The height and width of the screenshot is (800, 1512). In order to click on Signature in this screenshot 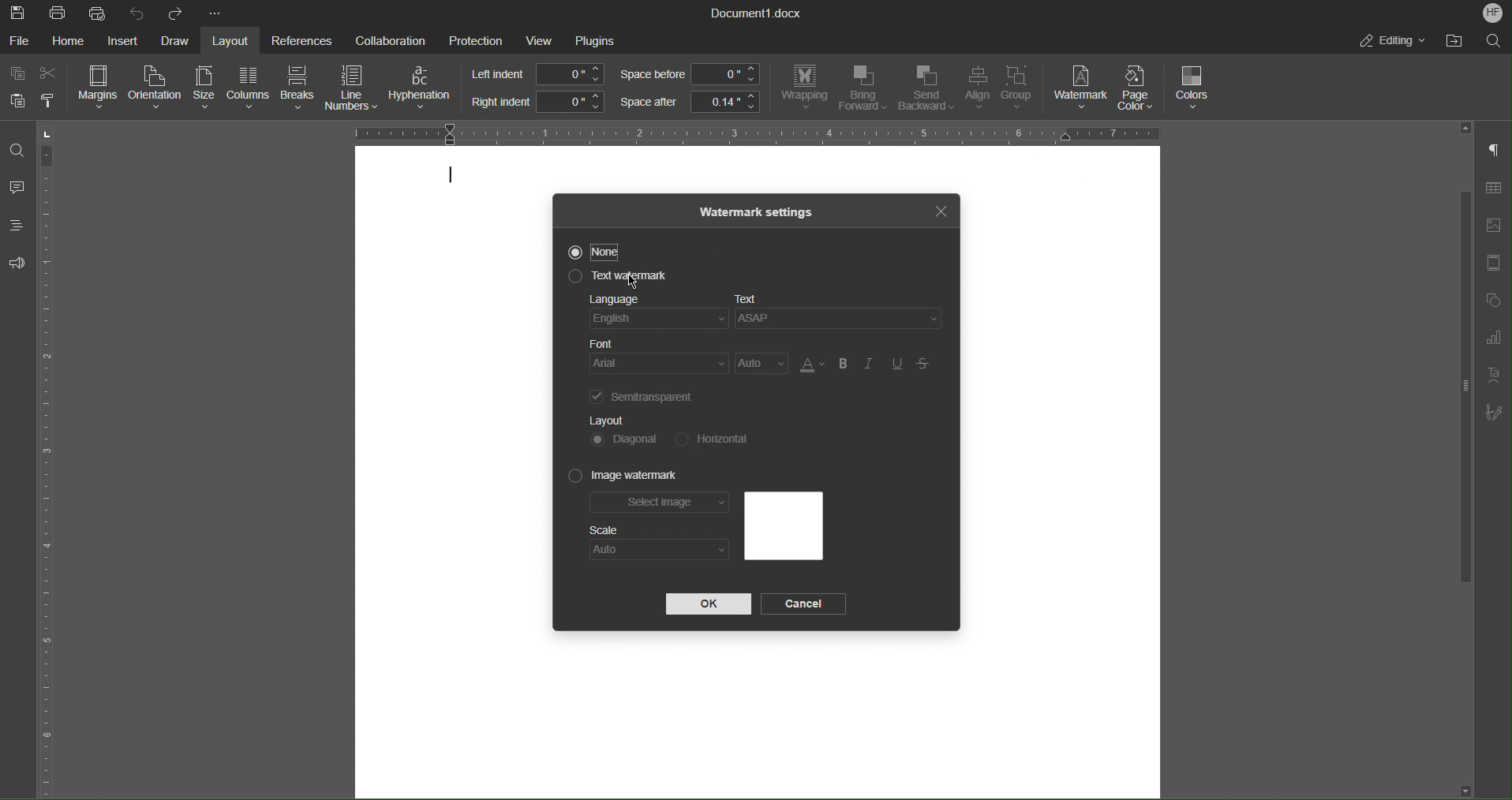, I will do `click(1494, 413)`.